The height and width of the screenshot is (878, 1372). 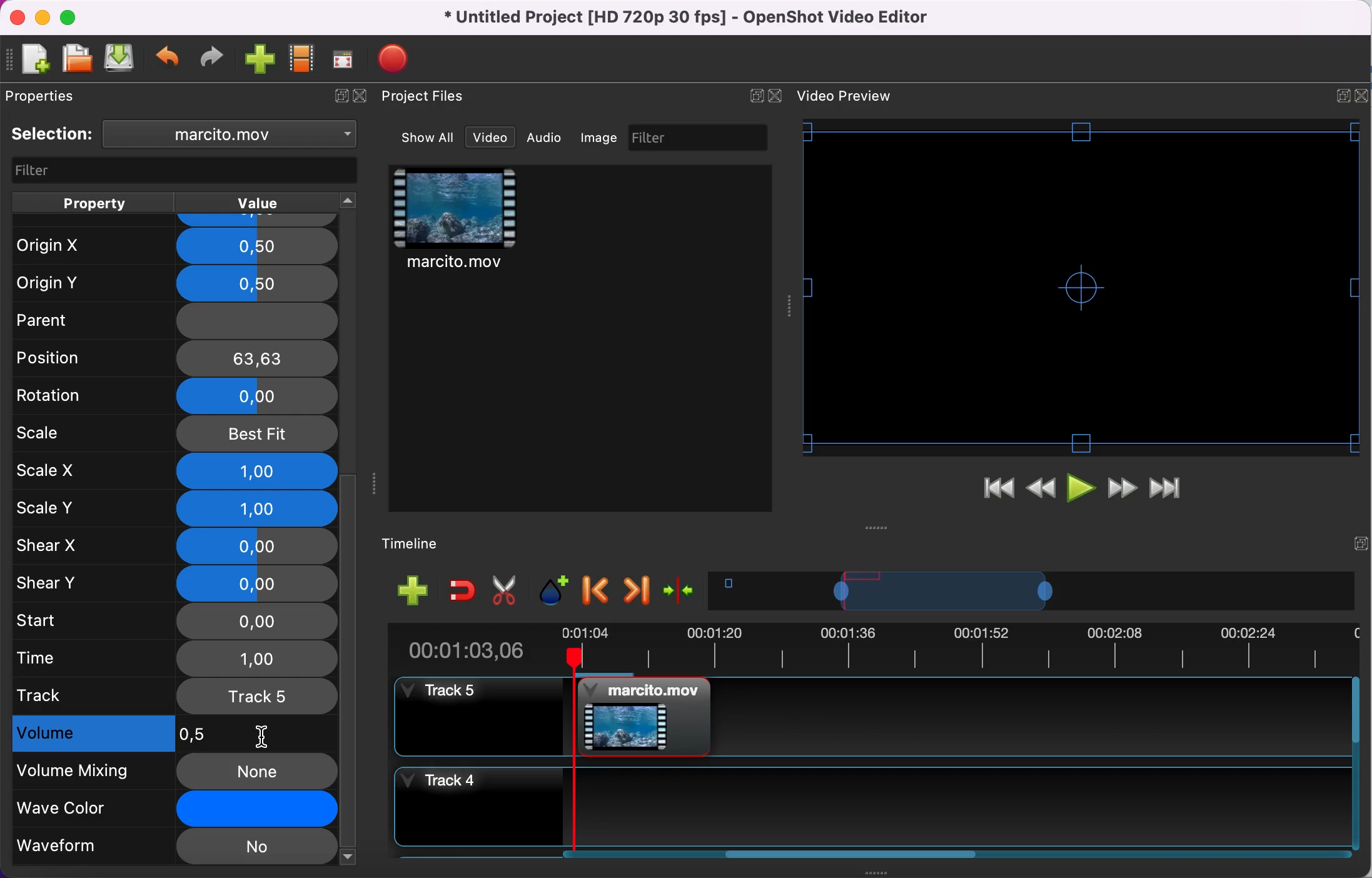 What do you see at coordinates (169, 59) in the screenshot?
I see `undo` at bounding box center [169, 59].